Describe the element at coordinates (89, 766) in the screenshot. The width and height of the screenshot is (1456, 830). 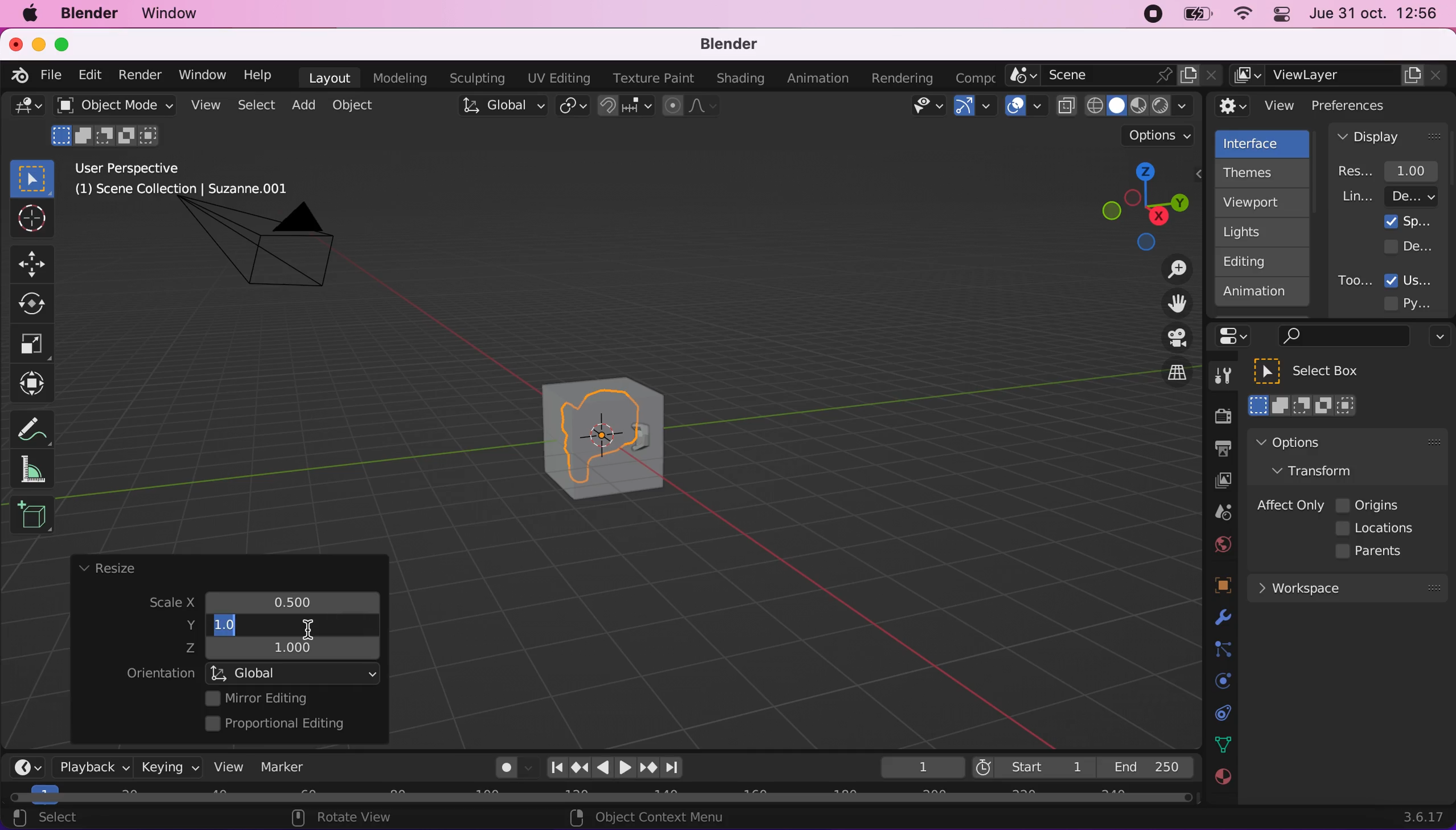
I see `playback` at that location.